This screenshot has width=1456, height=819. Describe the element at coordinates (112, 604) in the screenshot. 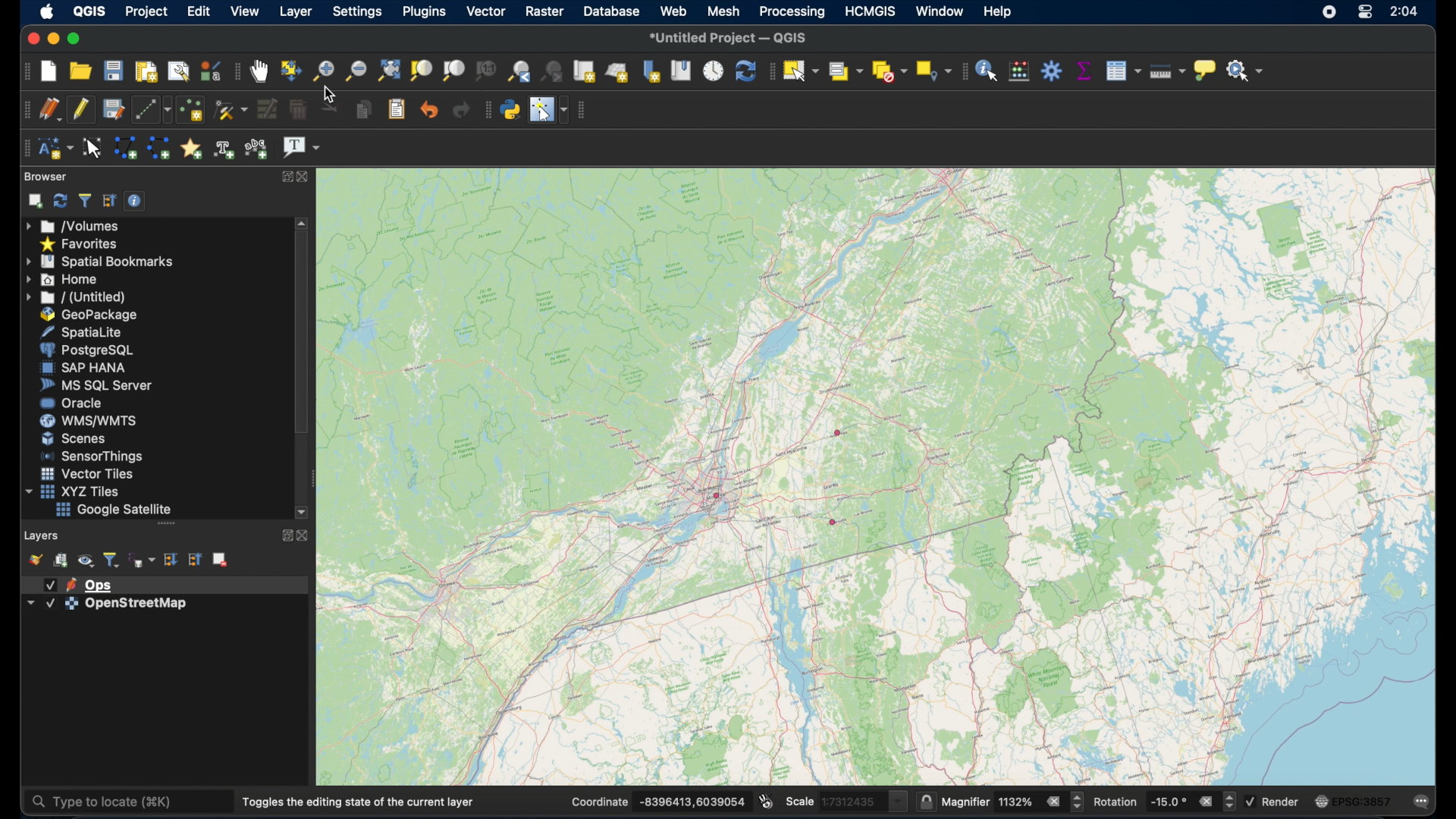

I see `layer` at that location.